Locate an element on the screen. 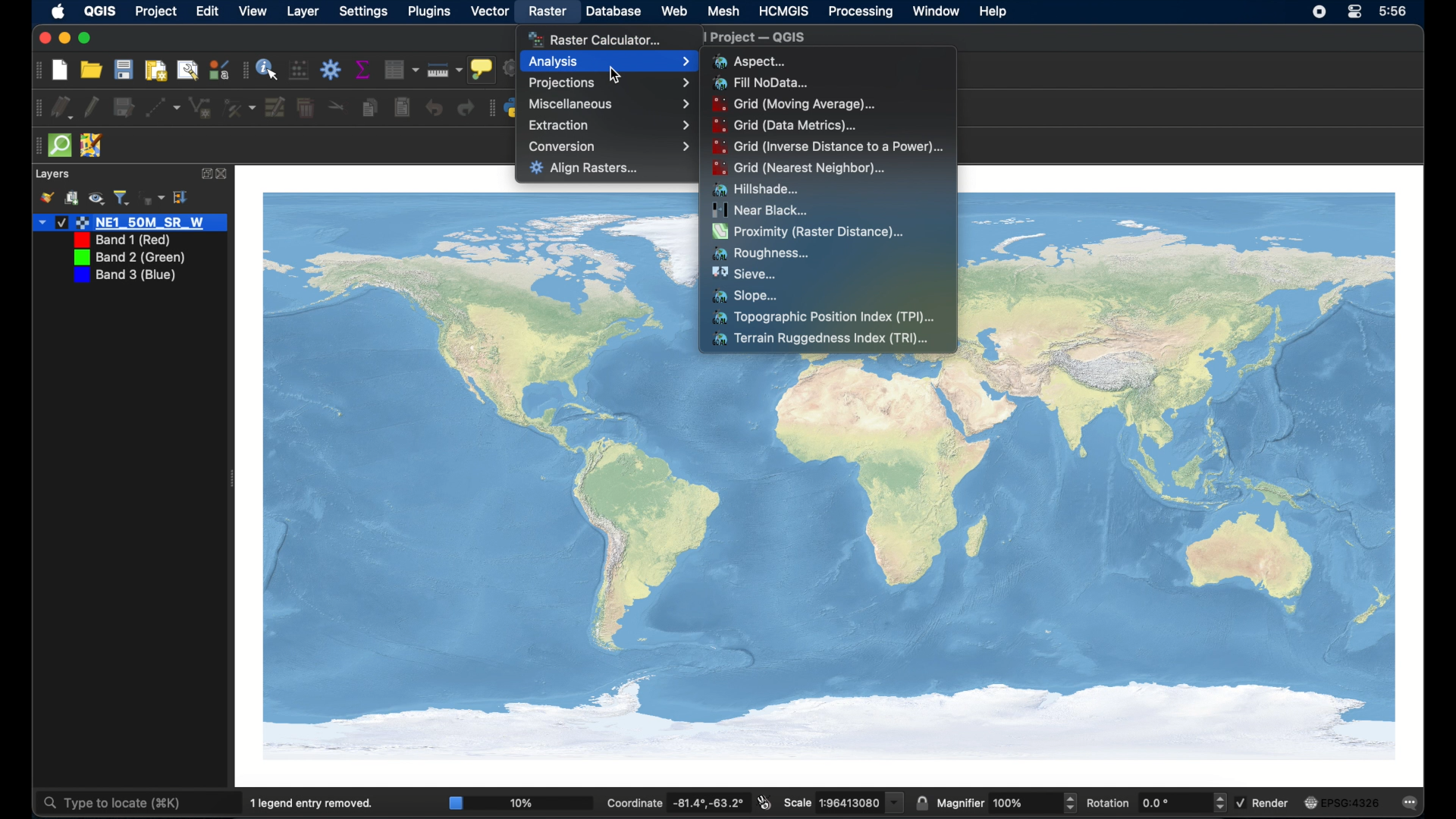 This screenshot has width=1456, height=819. python console is located at coordinates (510, 106).